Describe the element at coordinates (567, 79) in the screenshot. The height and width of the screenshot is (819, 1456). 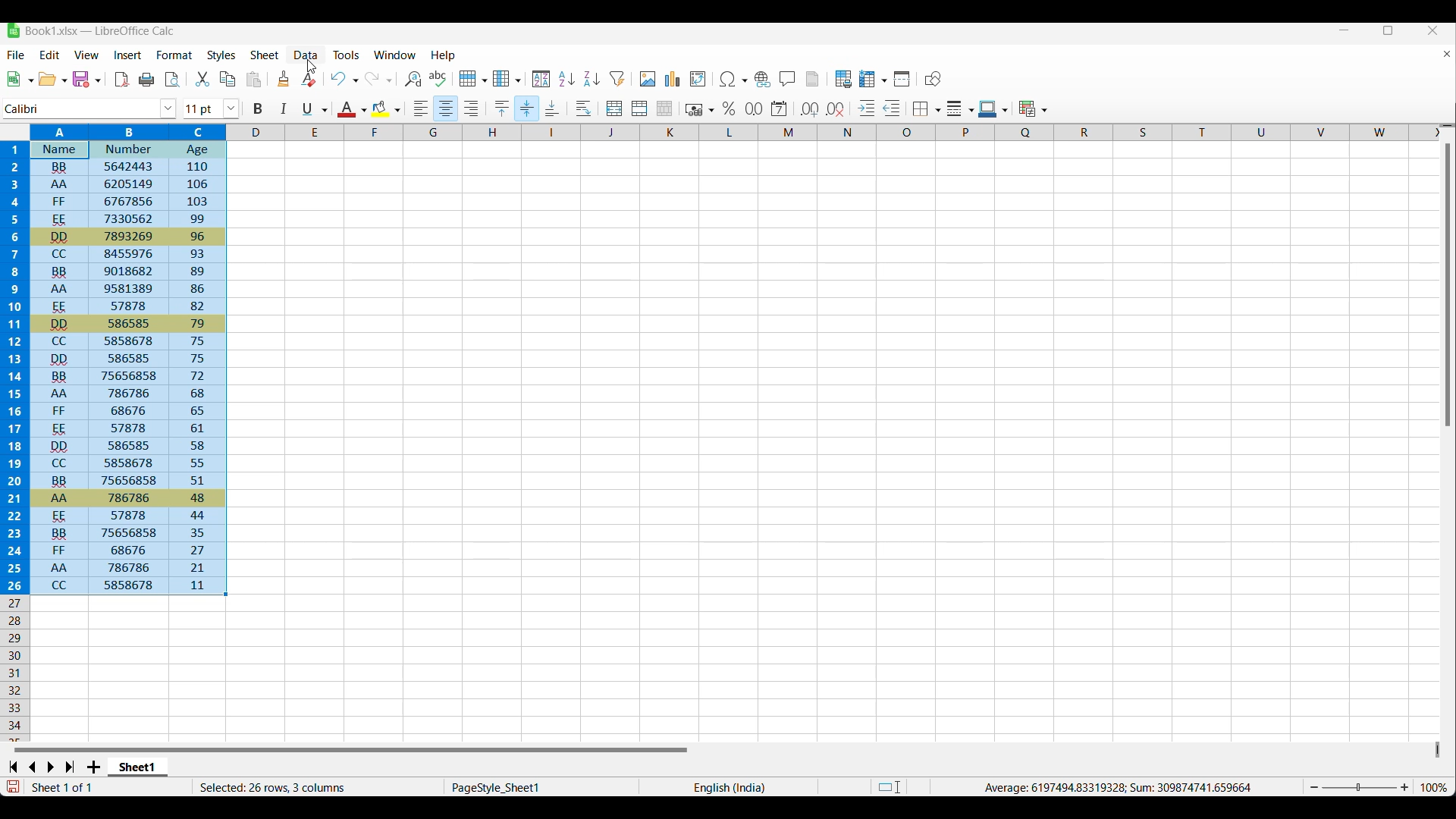
I see `Sort ascending` at that location.